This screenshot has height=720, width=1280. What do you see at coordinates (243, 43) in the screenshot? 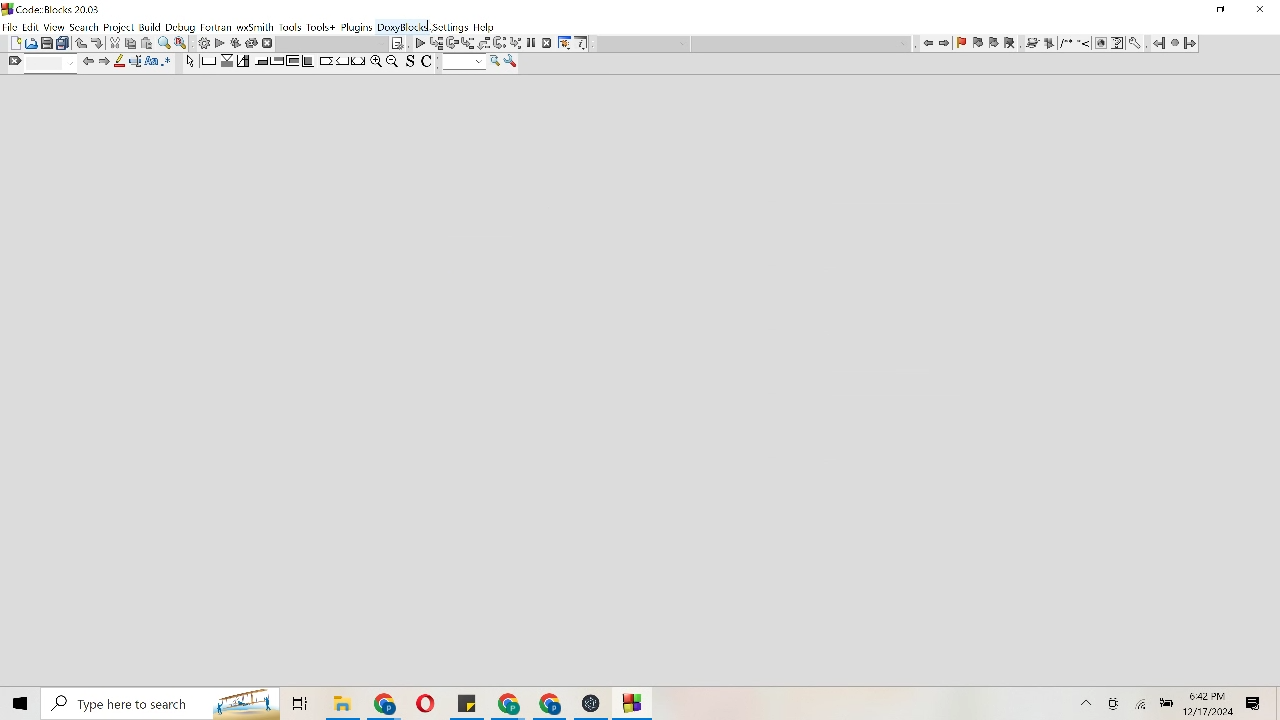
I see `Reverse` at bounding box center [243, 43].